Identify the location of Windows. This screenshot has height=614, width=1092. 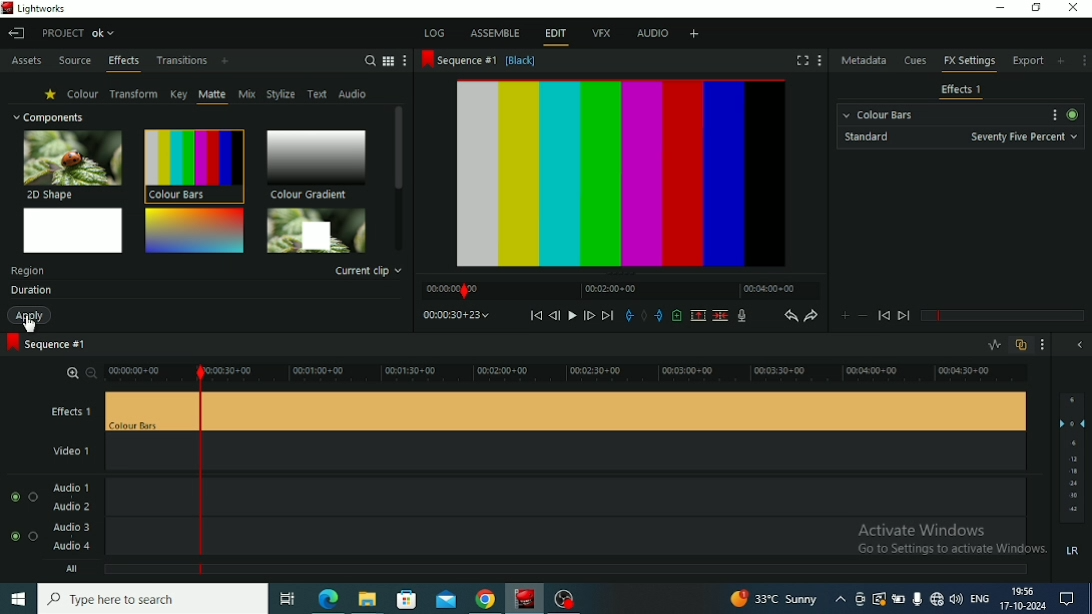
(18, 600).